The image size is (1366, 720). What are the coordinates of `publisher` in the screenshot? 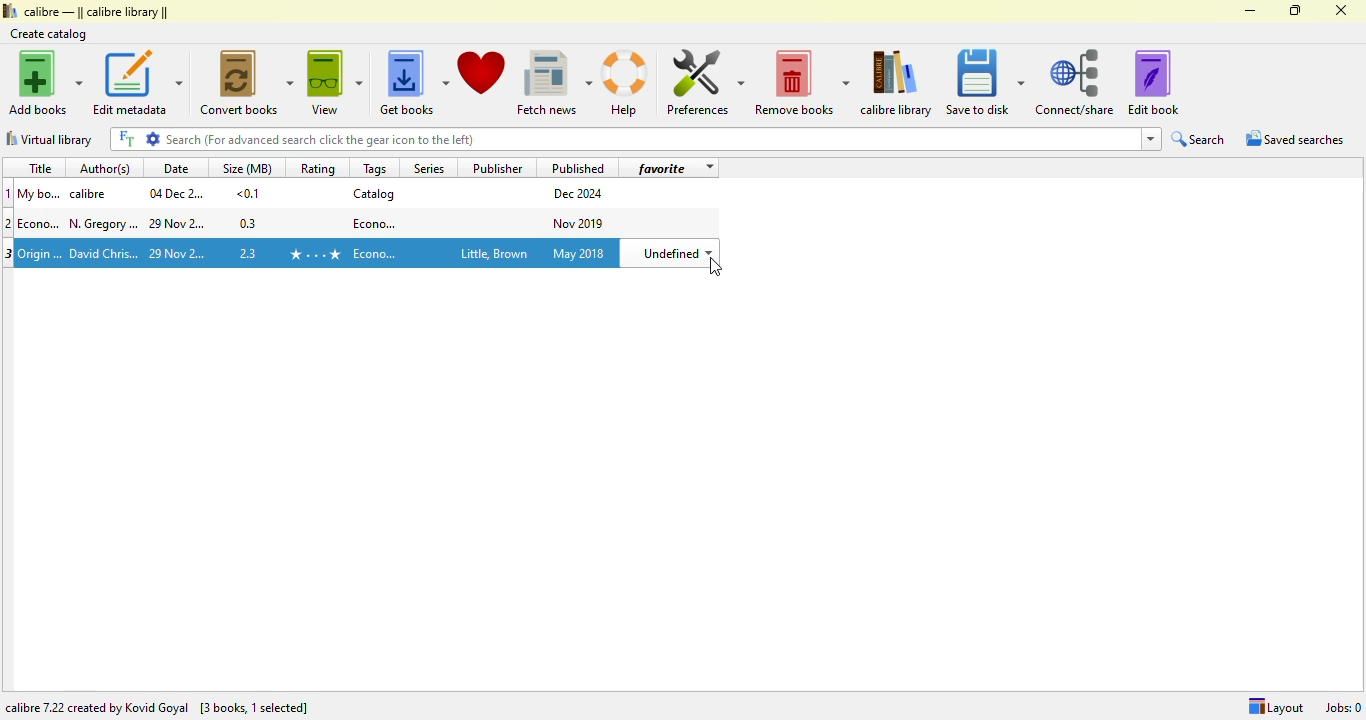 It's located at (499, 167).